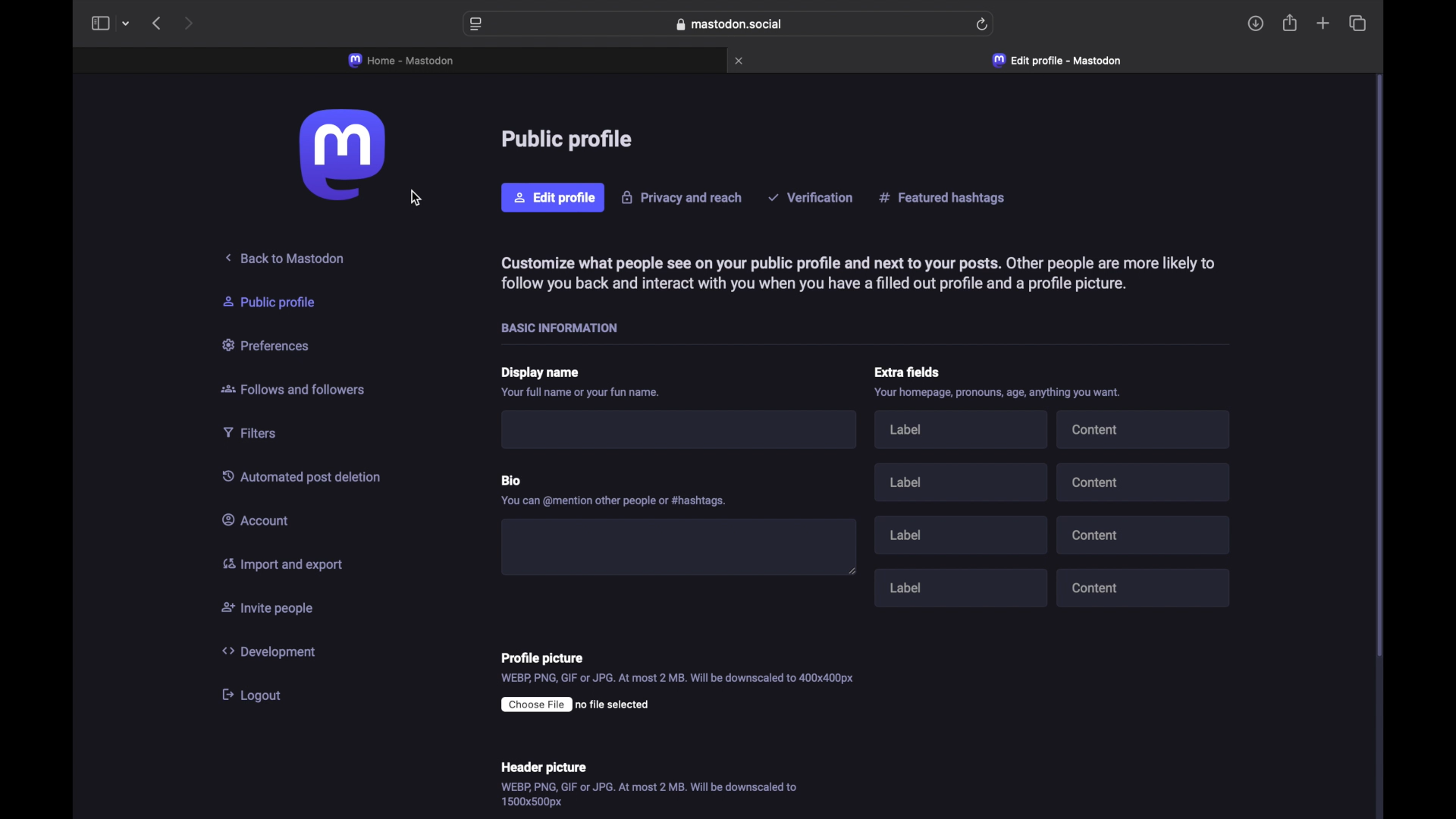 Image resolution: width=1456 pixels, height=819 pixels. What do you see at coordinates (1380, 368) in the screenshot?
I see `scroll bar` at bounding box center [1380, 368].